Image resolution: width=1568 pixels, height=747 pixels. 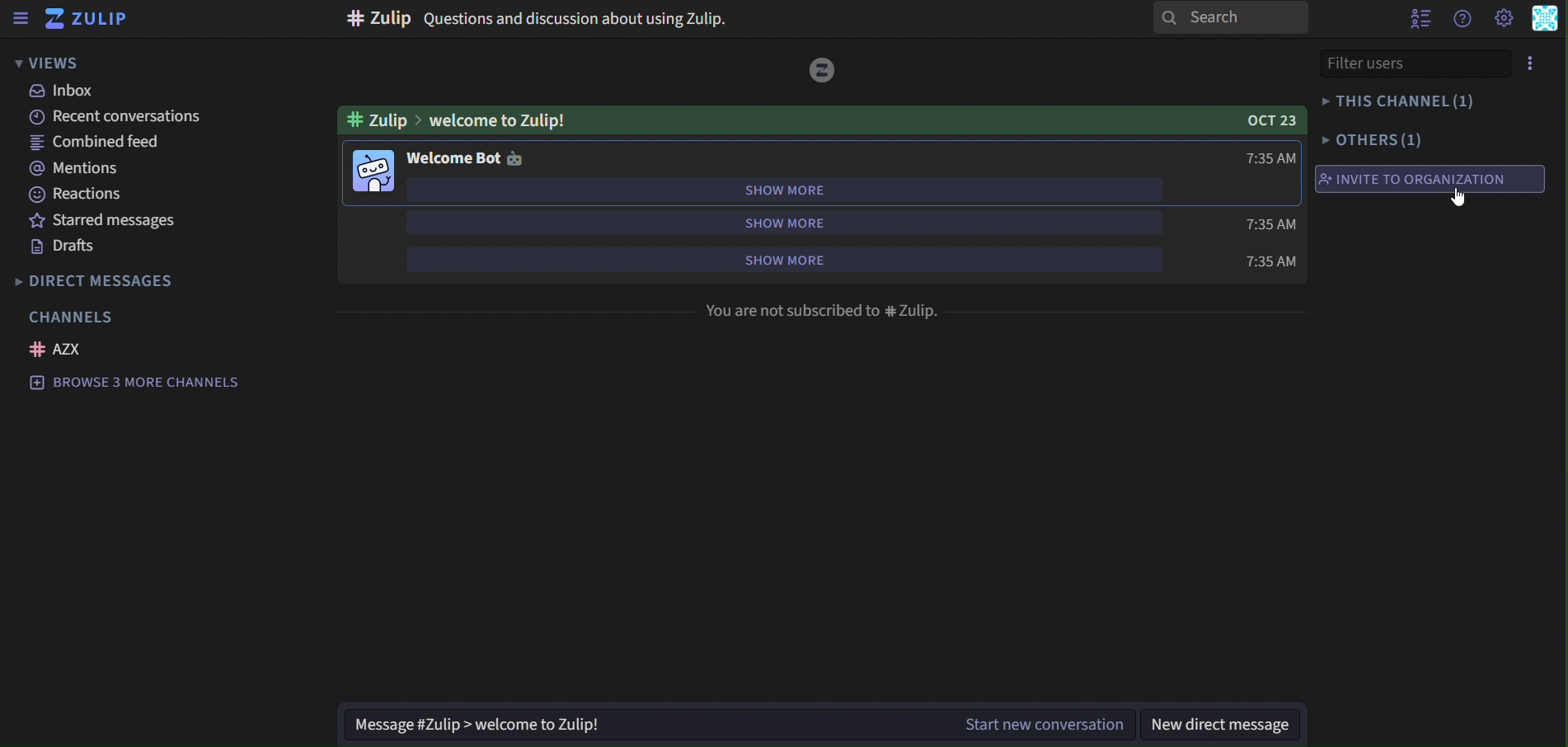 What do you see at coordinates (95, 282) in the screenshot?
I see `direct messages` at bounding box center [95, 282].